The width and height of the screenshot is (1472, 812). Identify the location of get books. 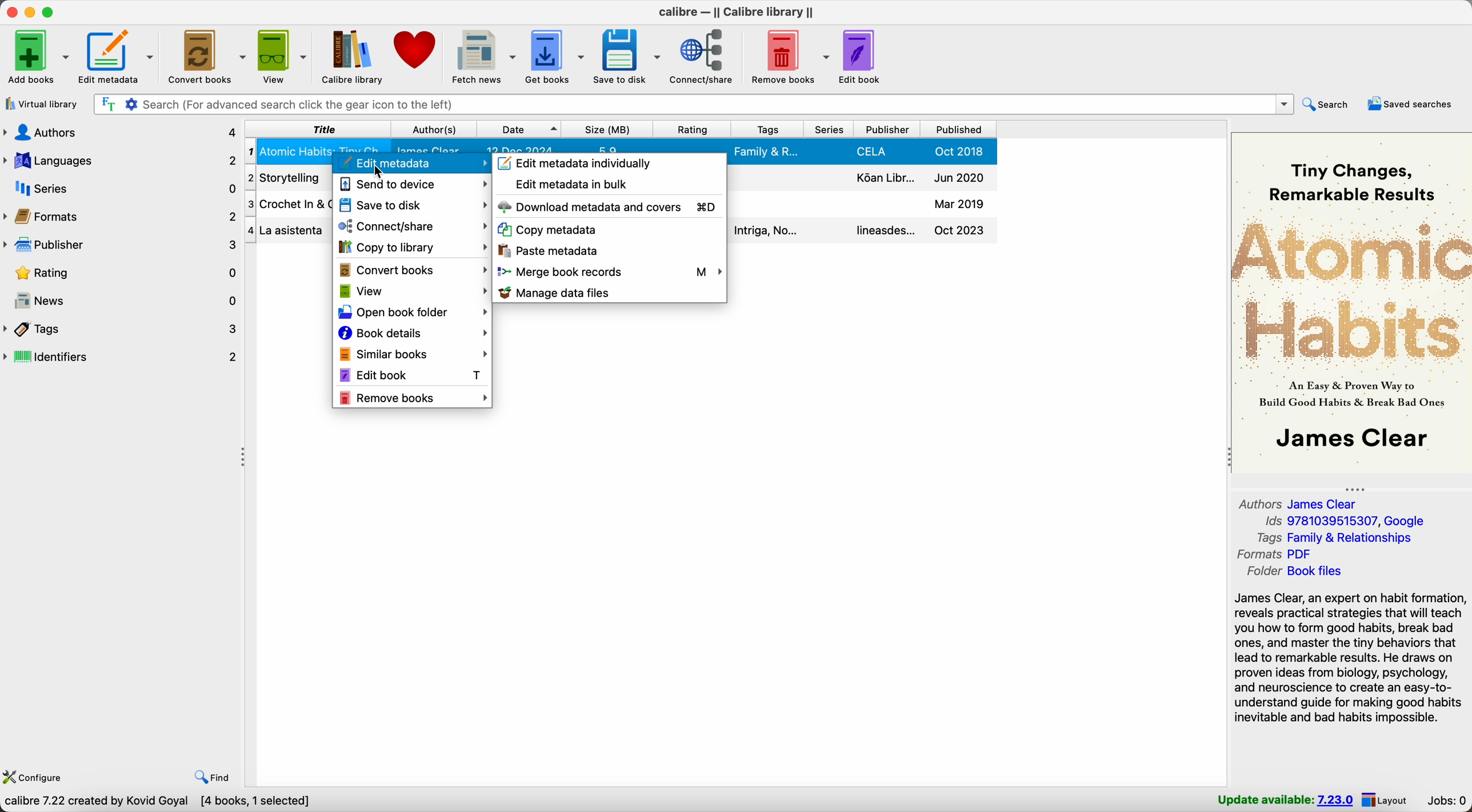
(555, 56).